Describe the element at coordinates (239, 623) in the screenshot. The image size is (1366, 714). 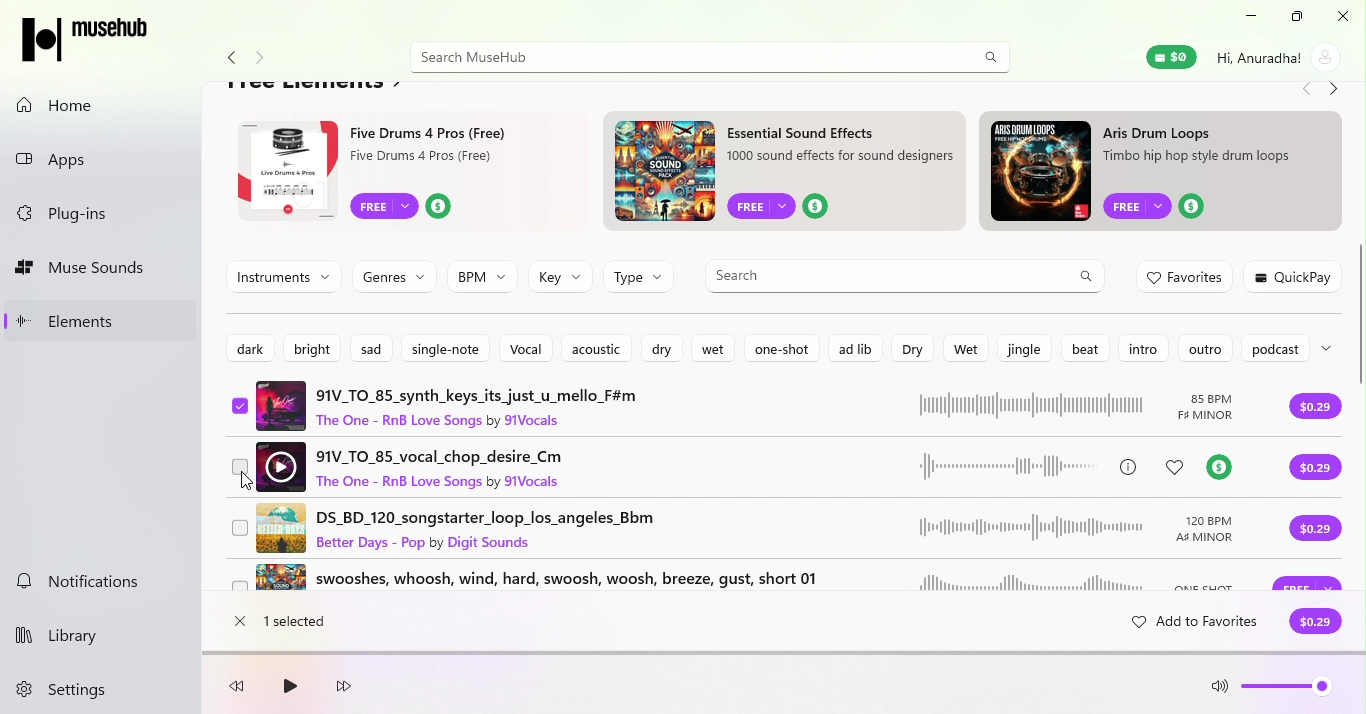
I see `close` at that location.